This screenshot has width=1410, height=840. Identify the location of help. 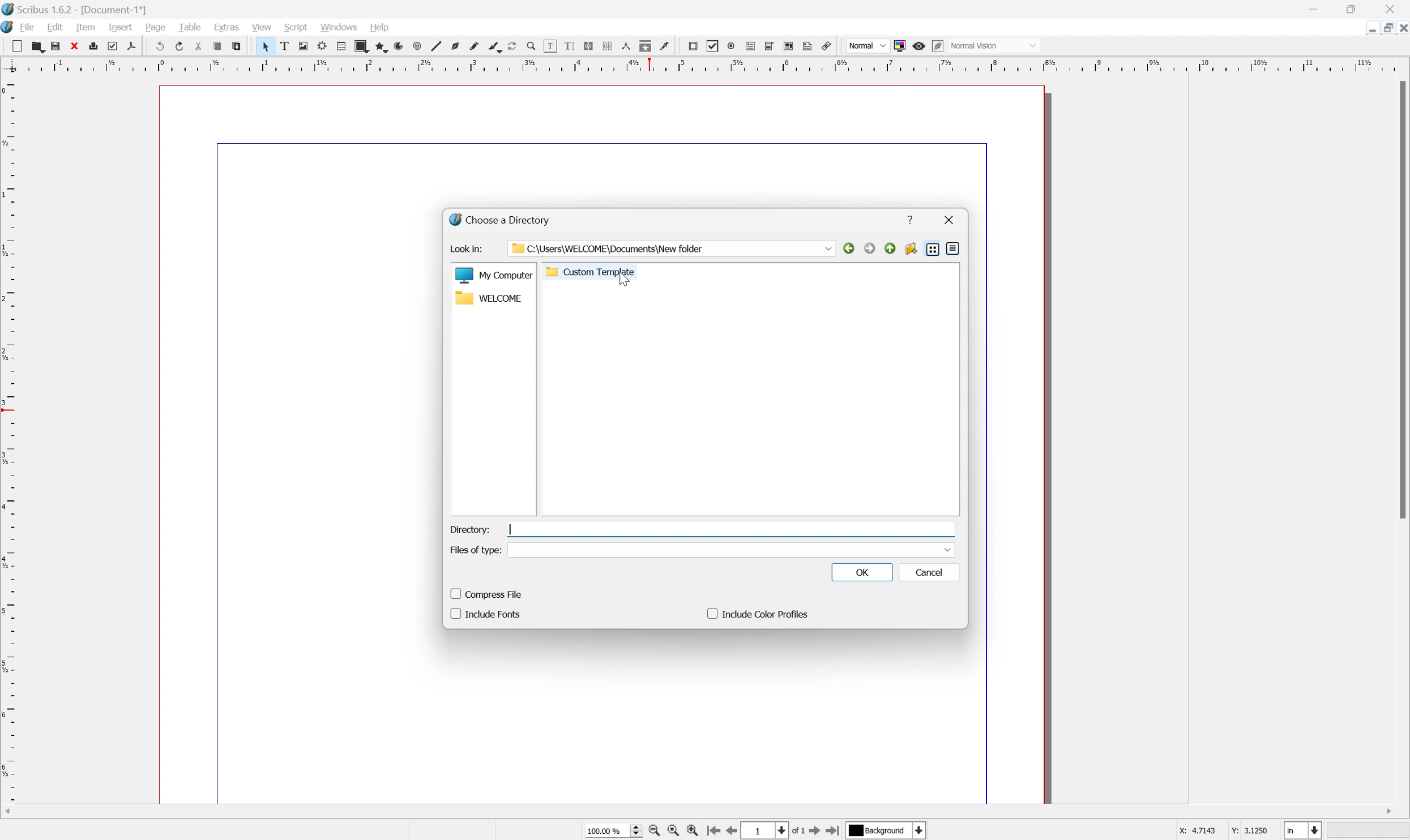
(383, 27).